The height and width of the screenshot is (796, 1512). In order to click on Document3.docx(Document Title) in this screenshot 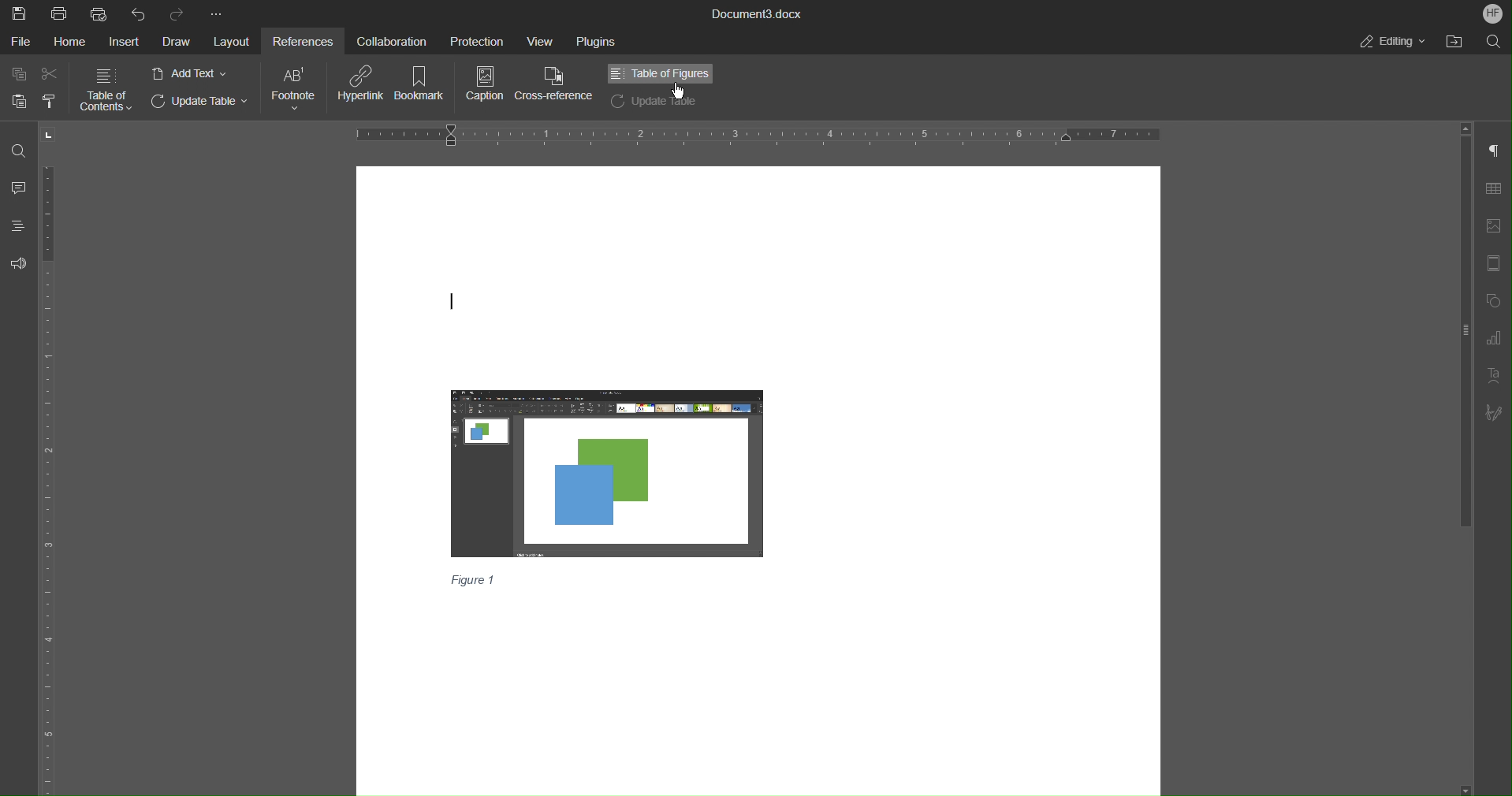, I will do `click(755, 13)`.